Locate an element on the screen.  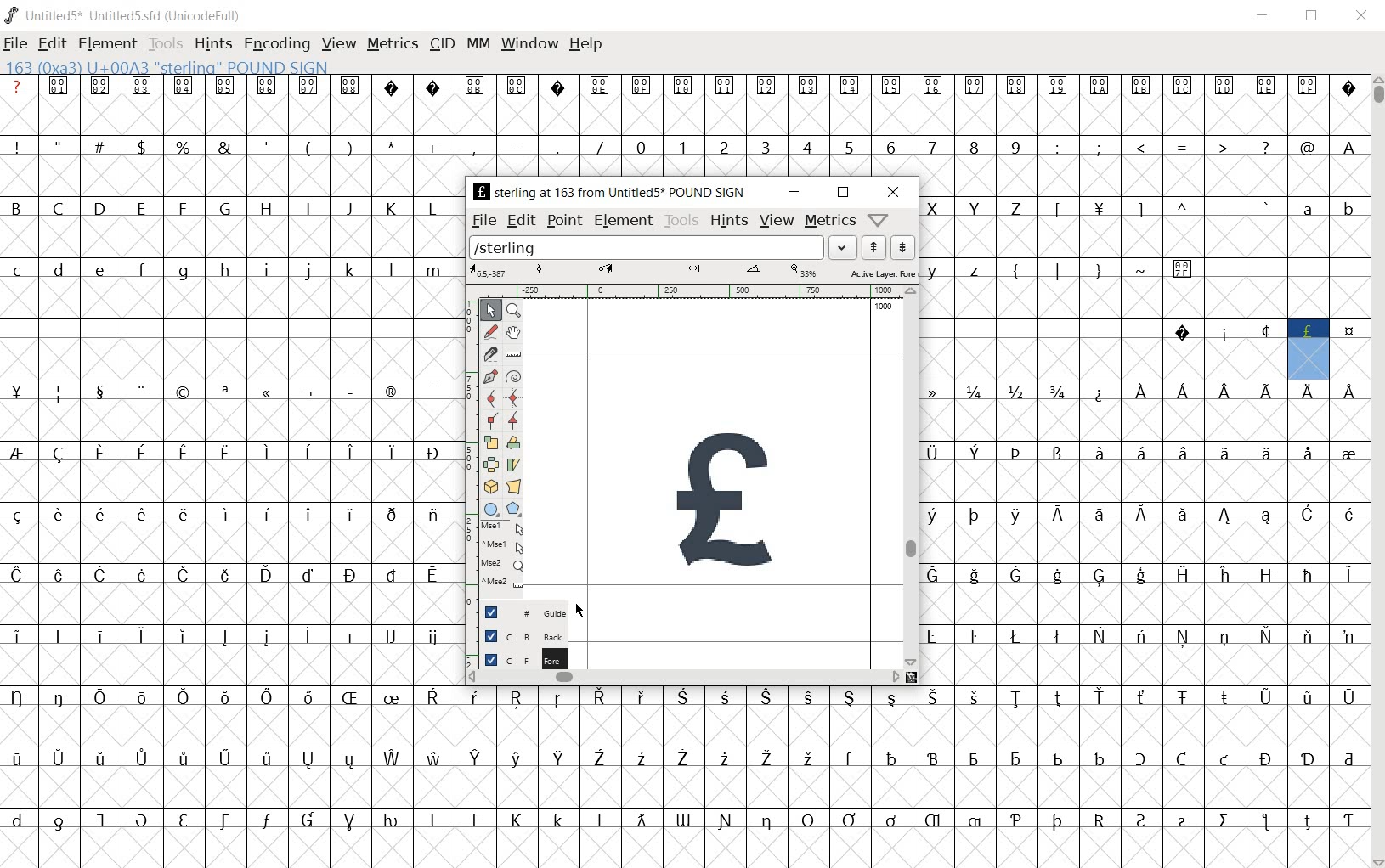
freehand is located at coordinates (493, 334).